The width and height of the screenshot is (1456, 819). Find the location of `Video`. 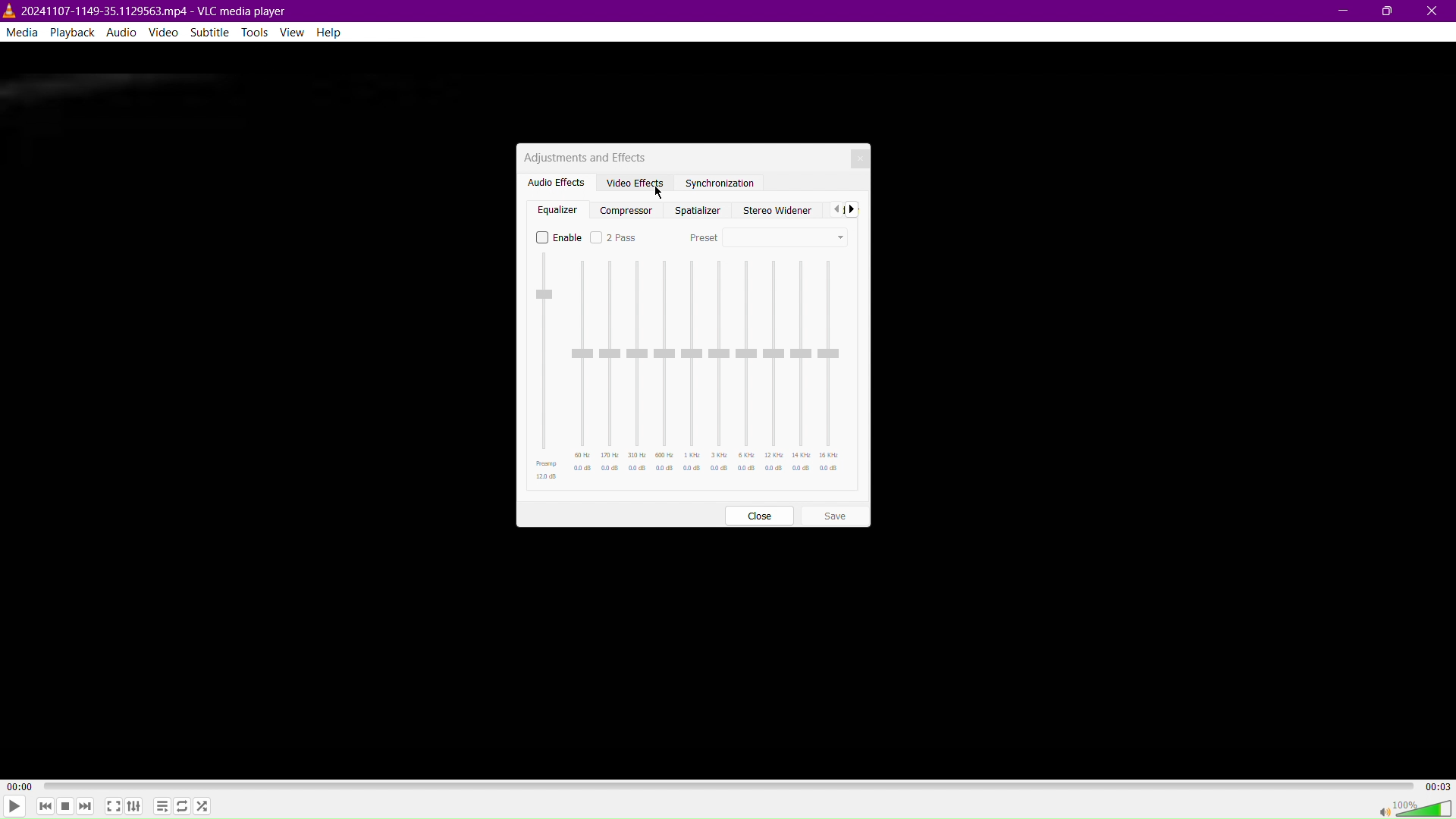

Video is located at coordinates (166, 32).